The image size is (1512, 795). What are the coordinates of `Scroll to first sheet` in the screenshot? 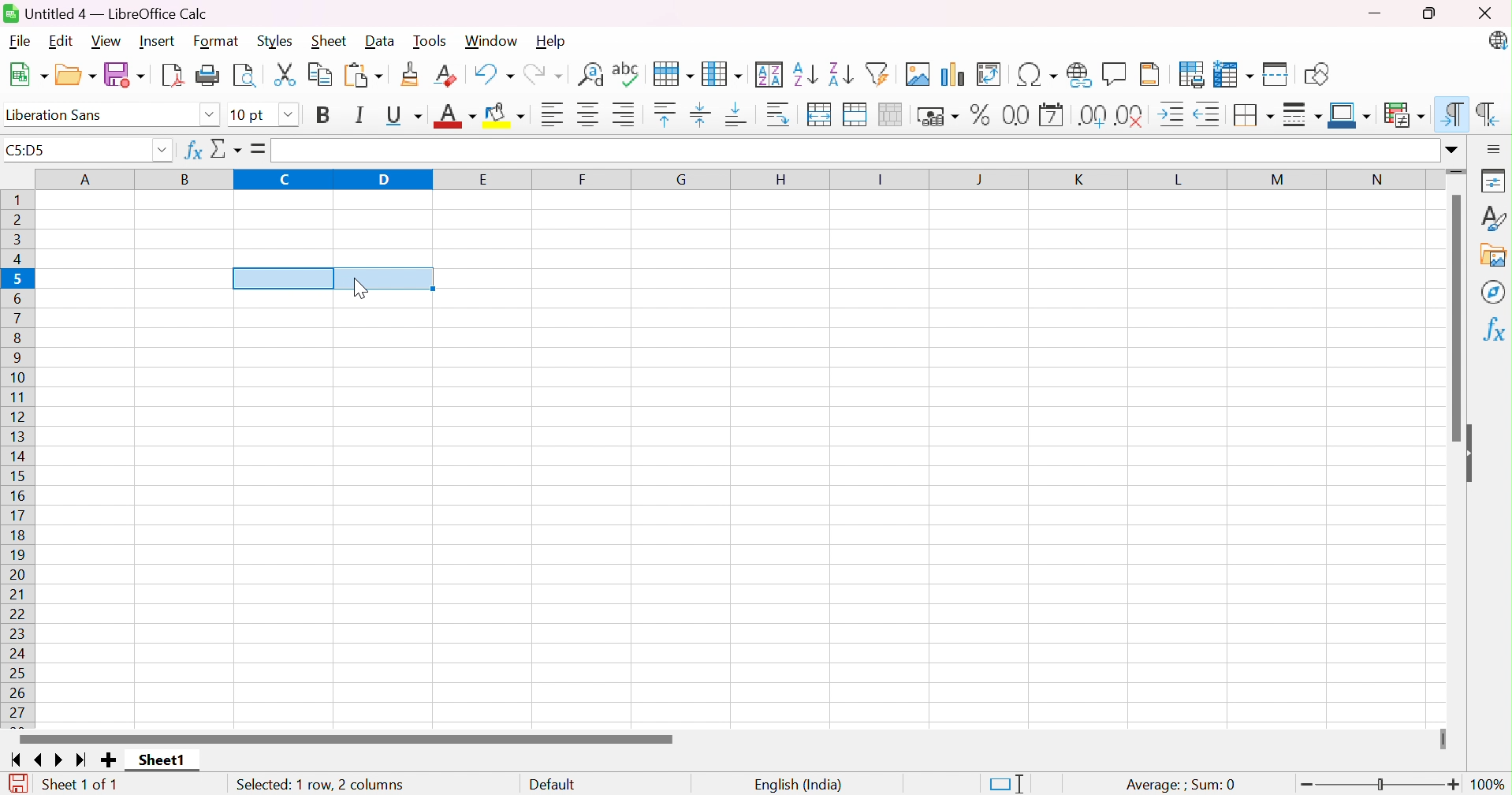 It's located at (13, 761).